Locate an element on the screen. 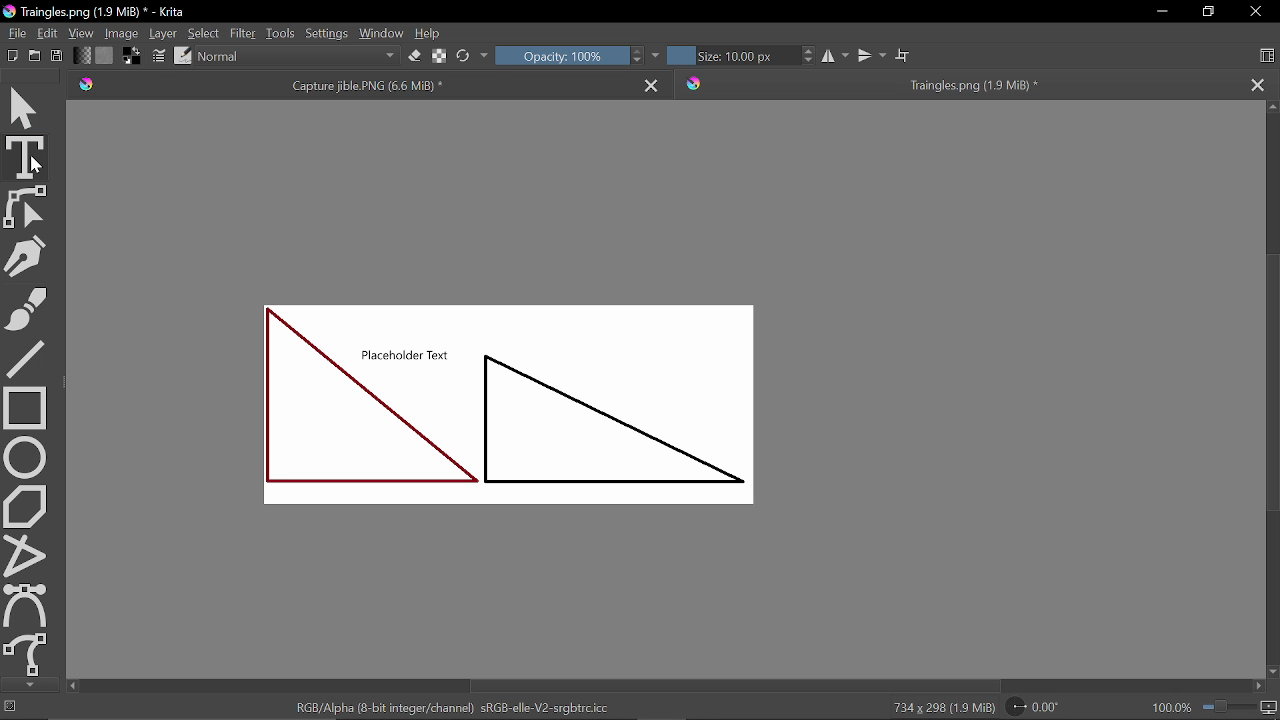  cursor is located at coordinates (46, 168).